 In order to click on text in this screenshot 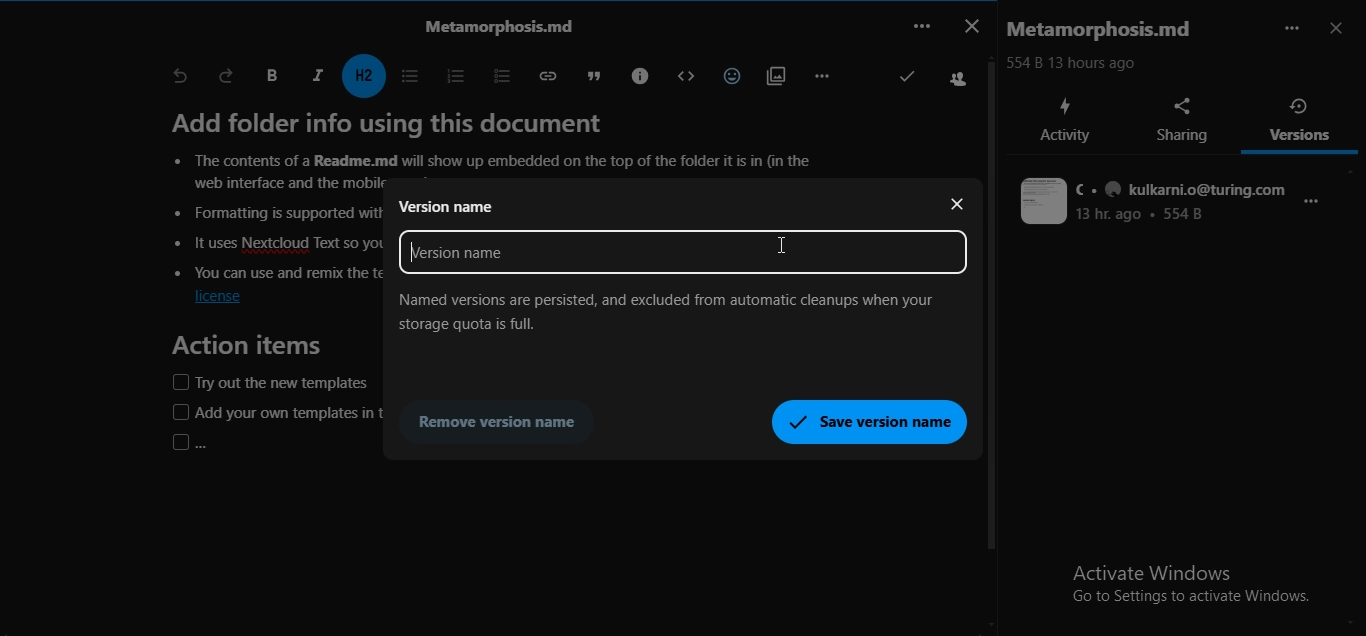, I will do `click(456, 249)`.